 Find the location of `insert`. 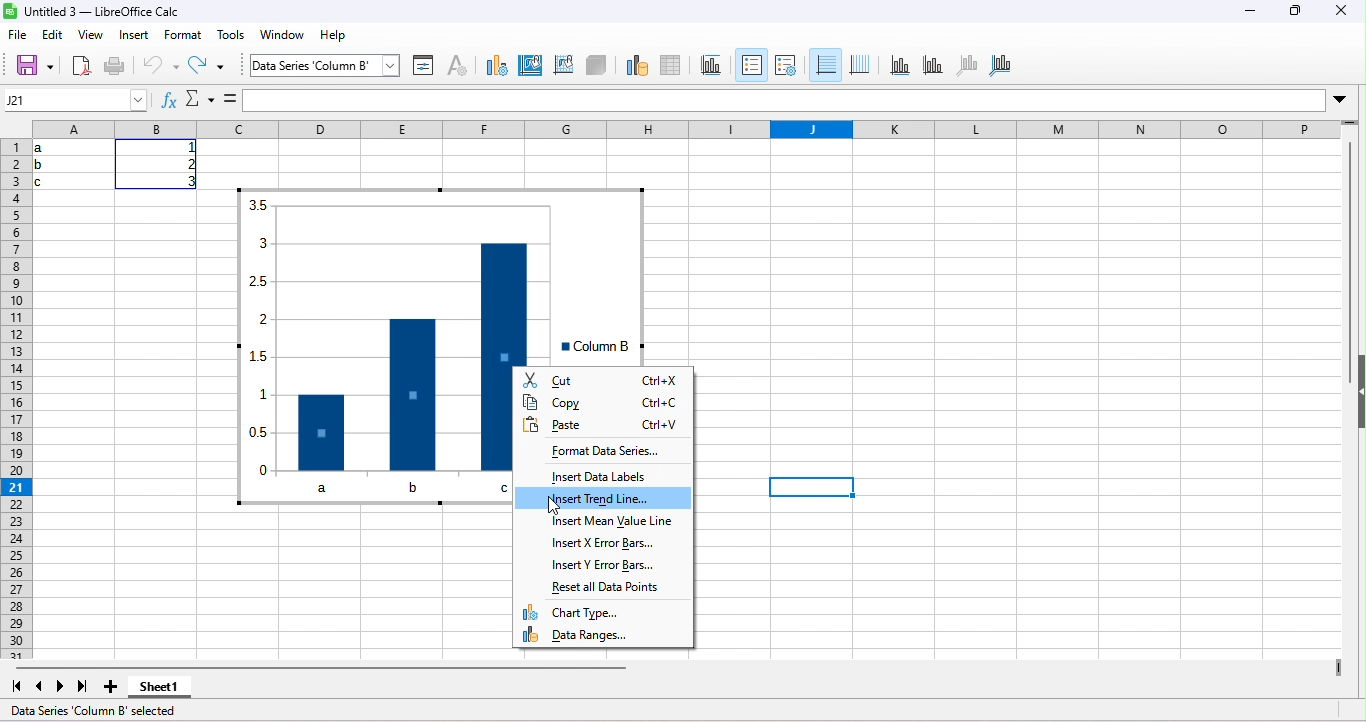

insert is located at coordinates (135, 37).